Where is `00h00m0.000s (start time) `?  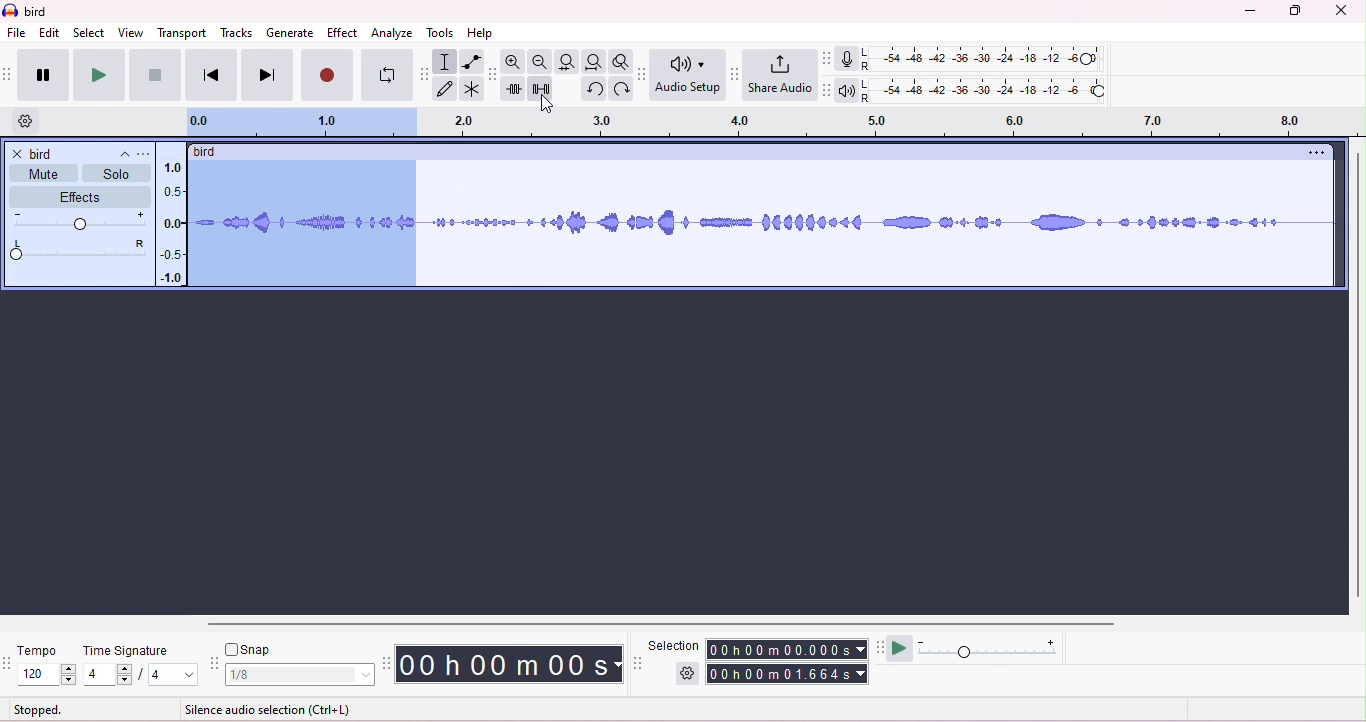 00h00m0.000s (start time)  is located at coordinates (788, 648).